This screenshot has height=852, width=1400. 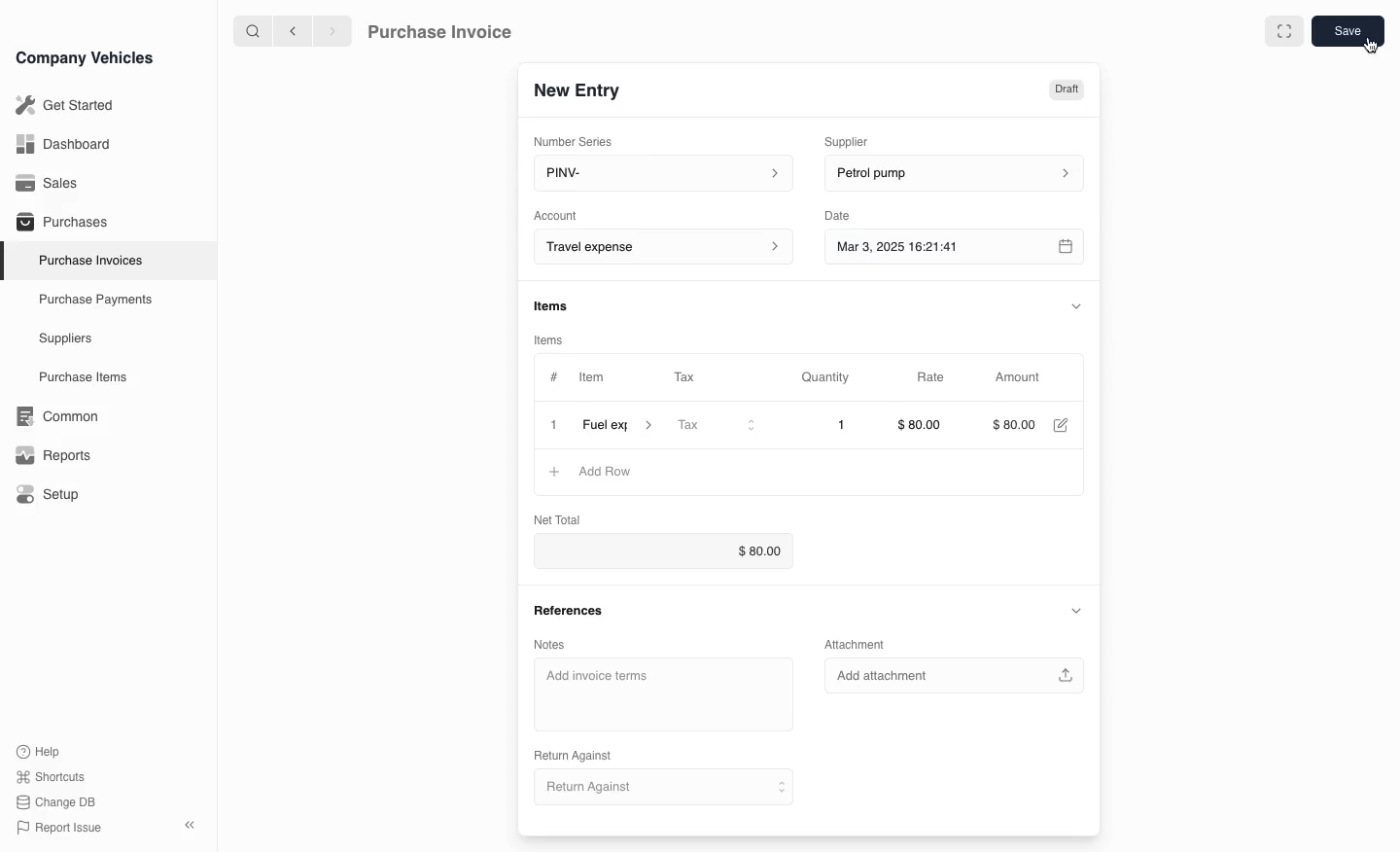 I want to click on Rate, so click(x=932, y=377).